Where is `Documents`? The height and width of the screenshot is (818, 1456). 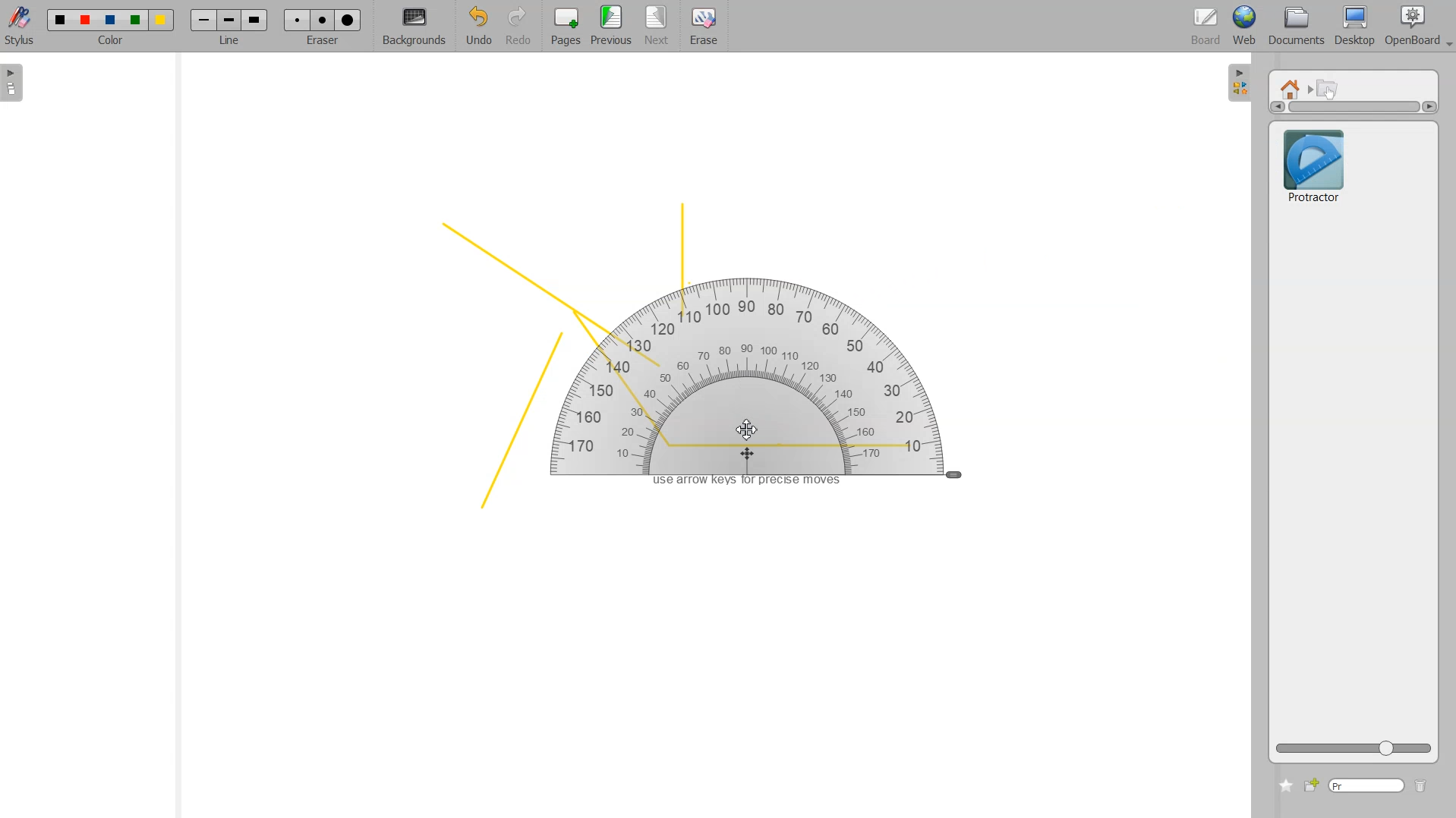
Documents is located at coordinates (1294, 27).